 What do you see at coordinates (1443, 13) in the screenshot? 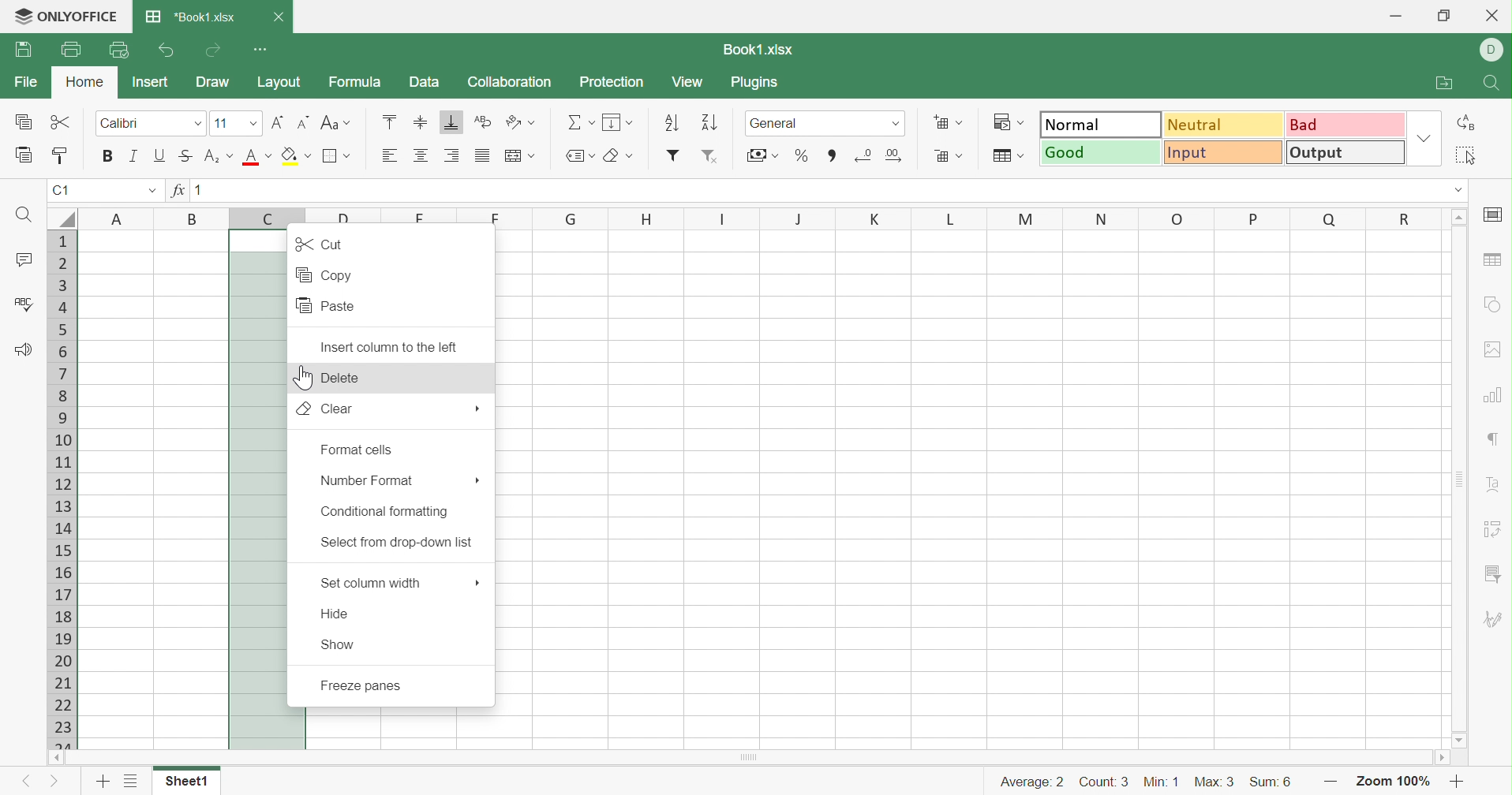
I see `Restore Down` at bounding box center [1443, 13].